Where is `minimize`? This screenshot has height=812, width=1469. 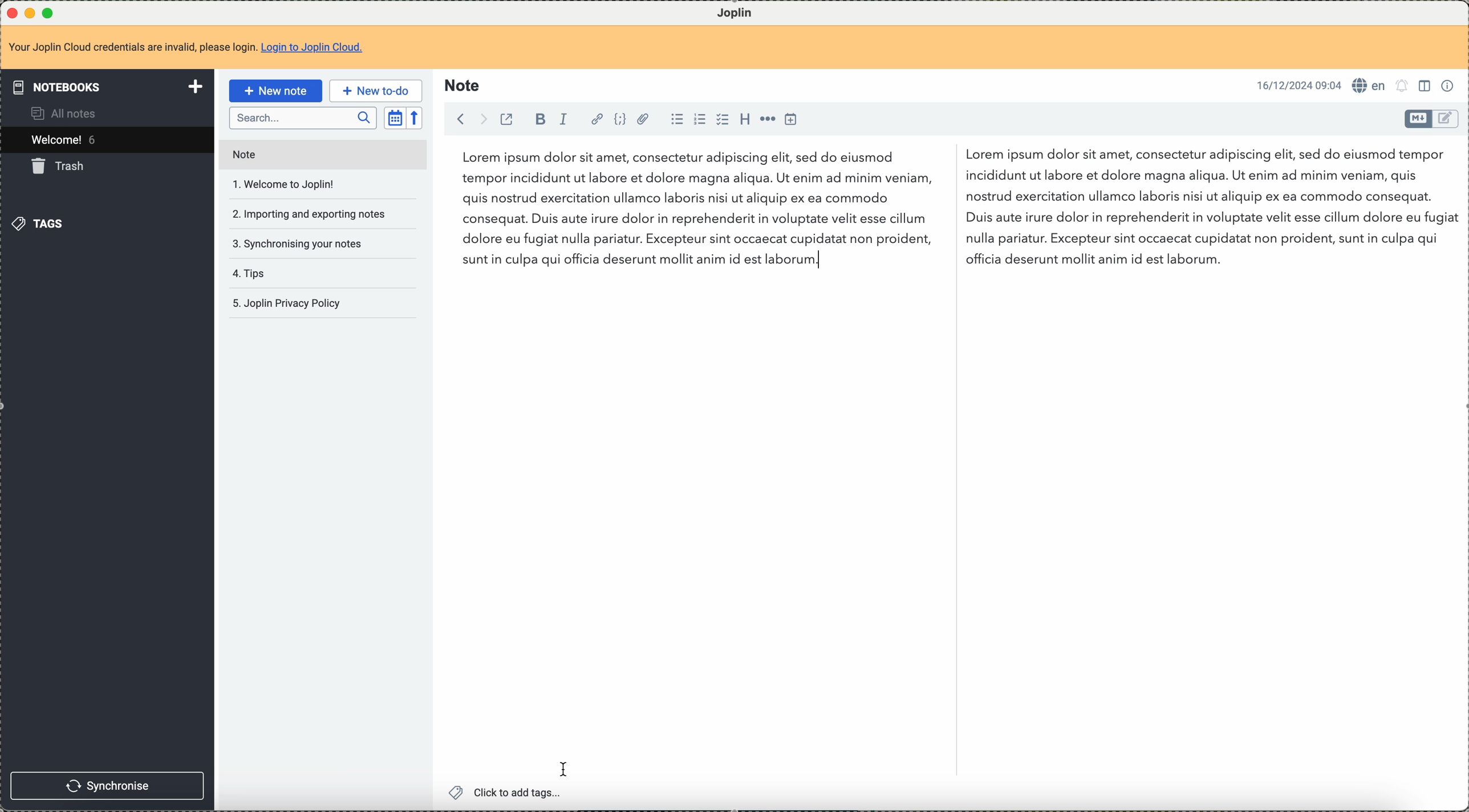 minimize is located at coordinates (30, 11).